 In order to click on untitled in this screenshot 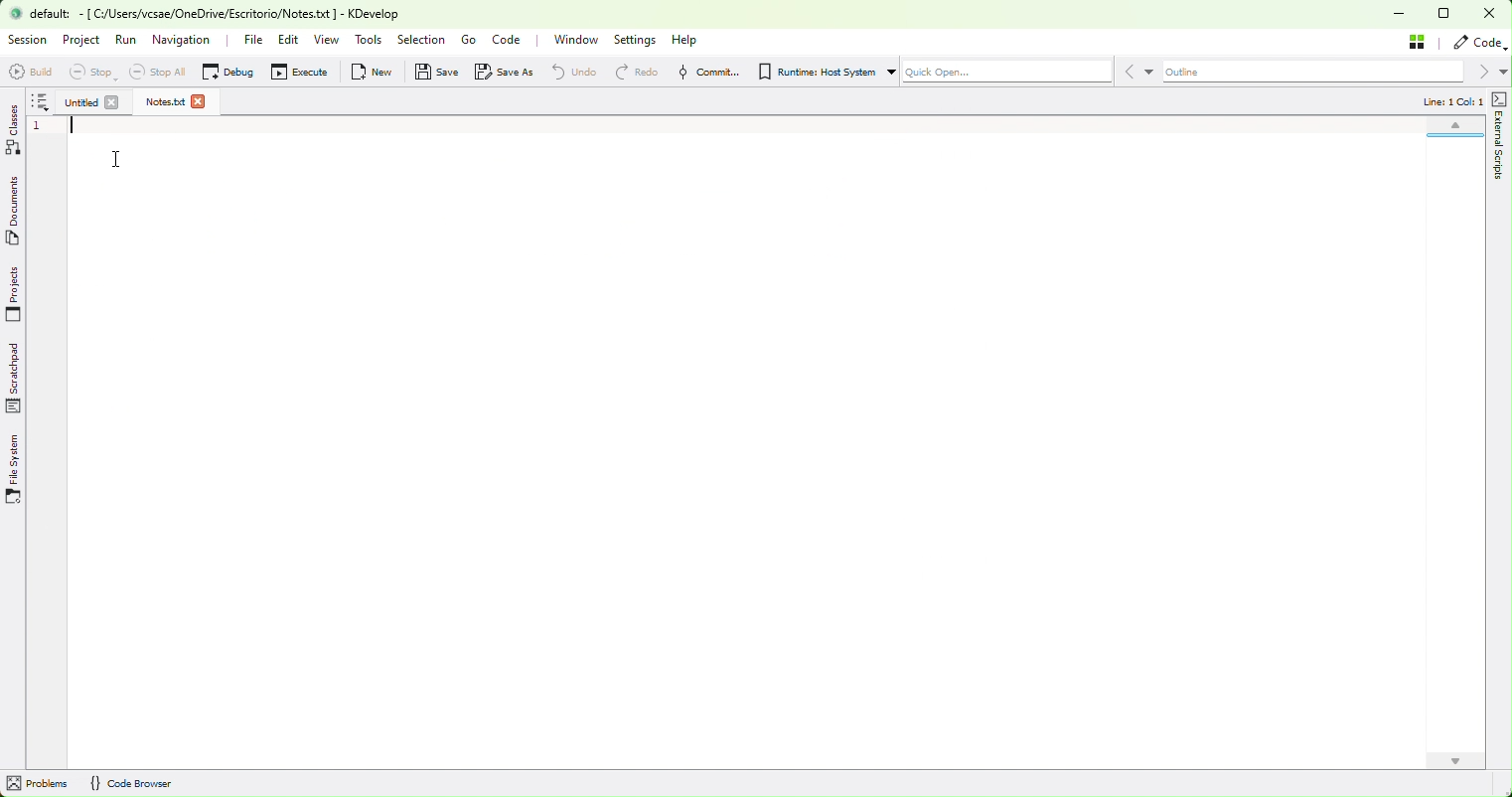, I will do `click(80, 101)`.